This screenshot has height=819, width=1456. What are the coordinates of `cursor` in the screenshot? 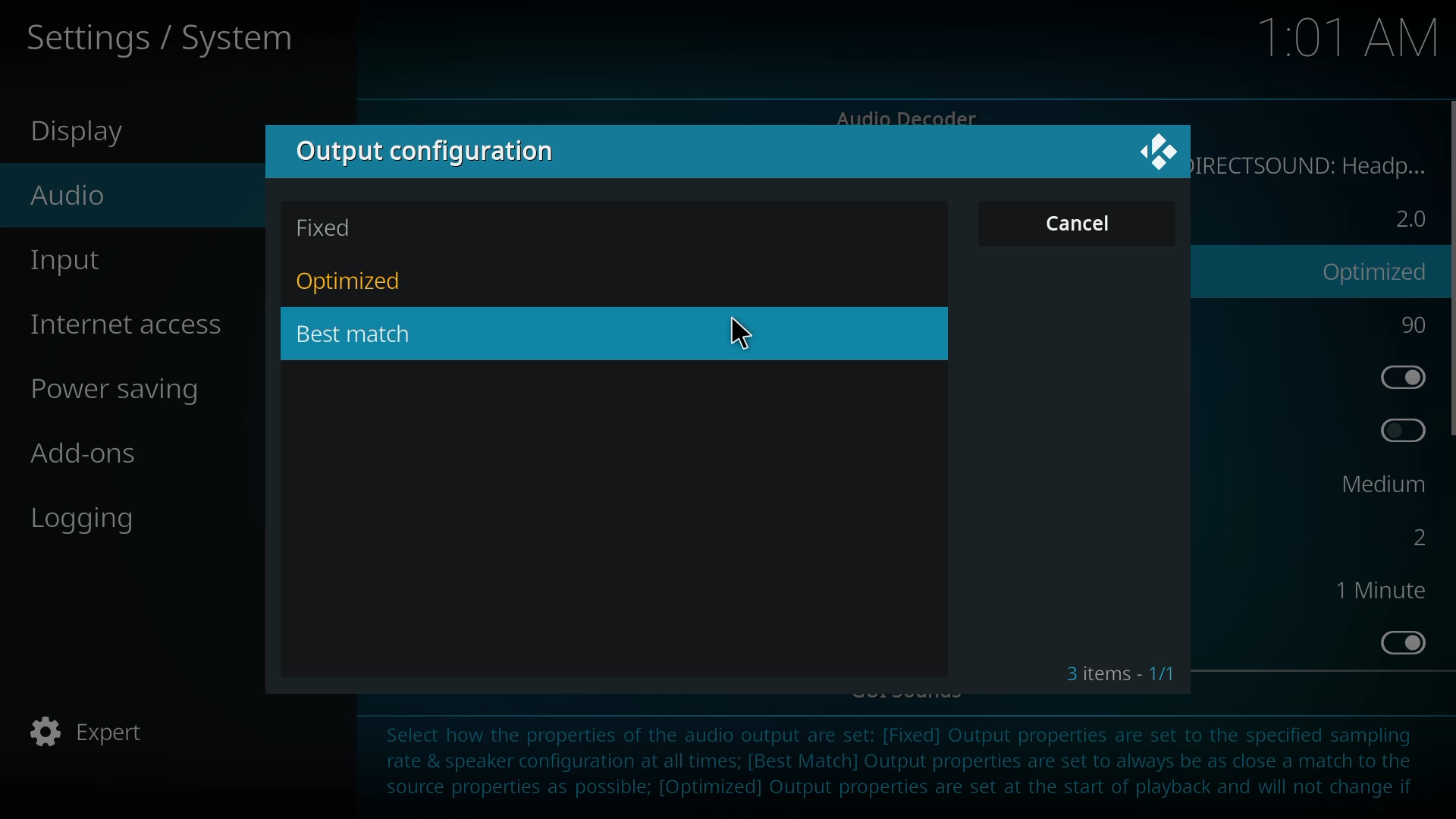 It's located at (740, 334).